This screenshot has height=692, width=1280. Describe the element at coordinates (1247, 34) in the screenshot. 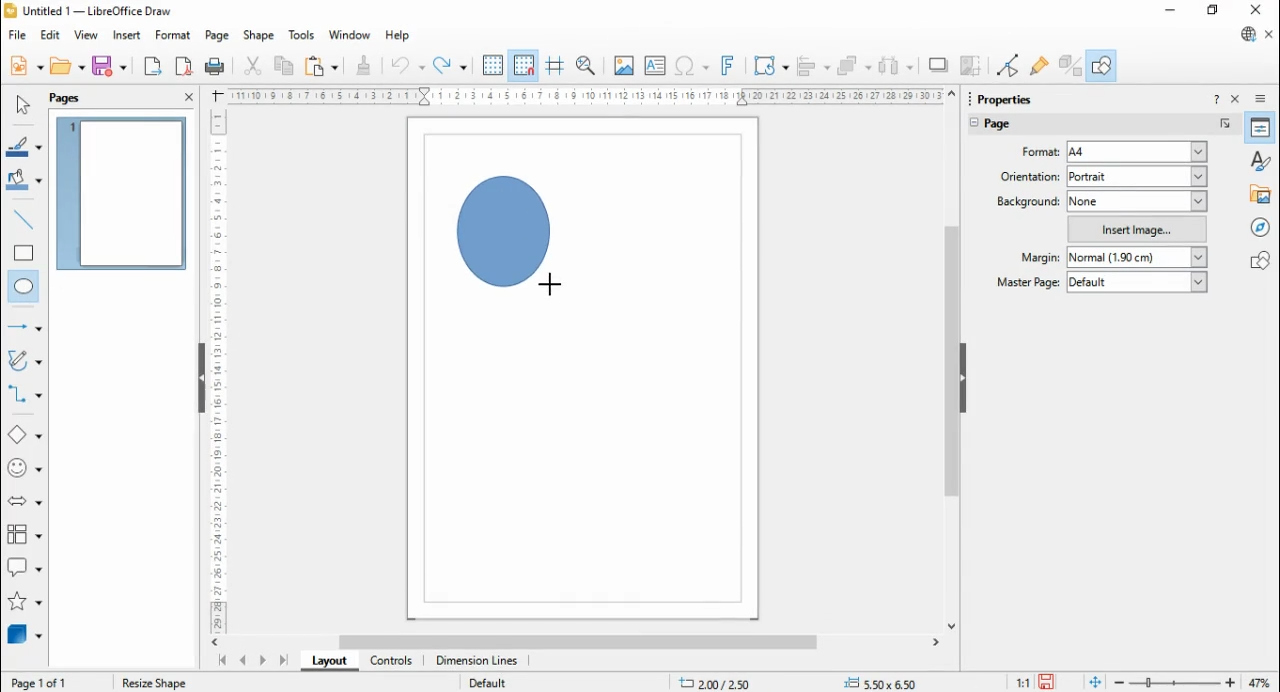

I see `libre office update` at that location.